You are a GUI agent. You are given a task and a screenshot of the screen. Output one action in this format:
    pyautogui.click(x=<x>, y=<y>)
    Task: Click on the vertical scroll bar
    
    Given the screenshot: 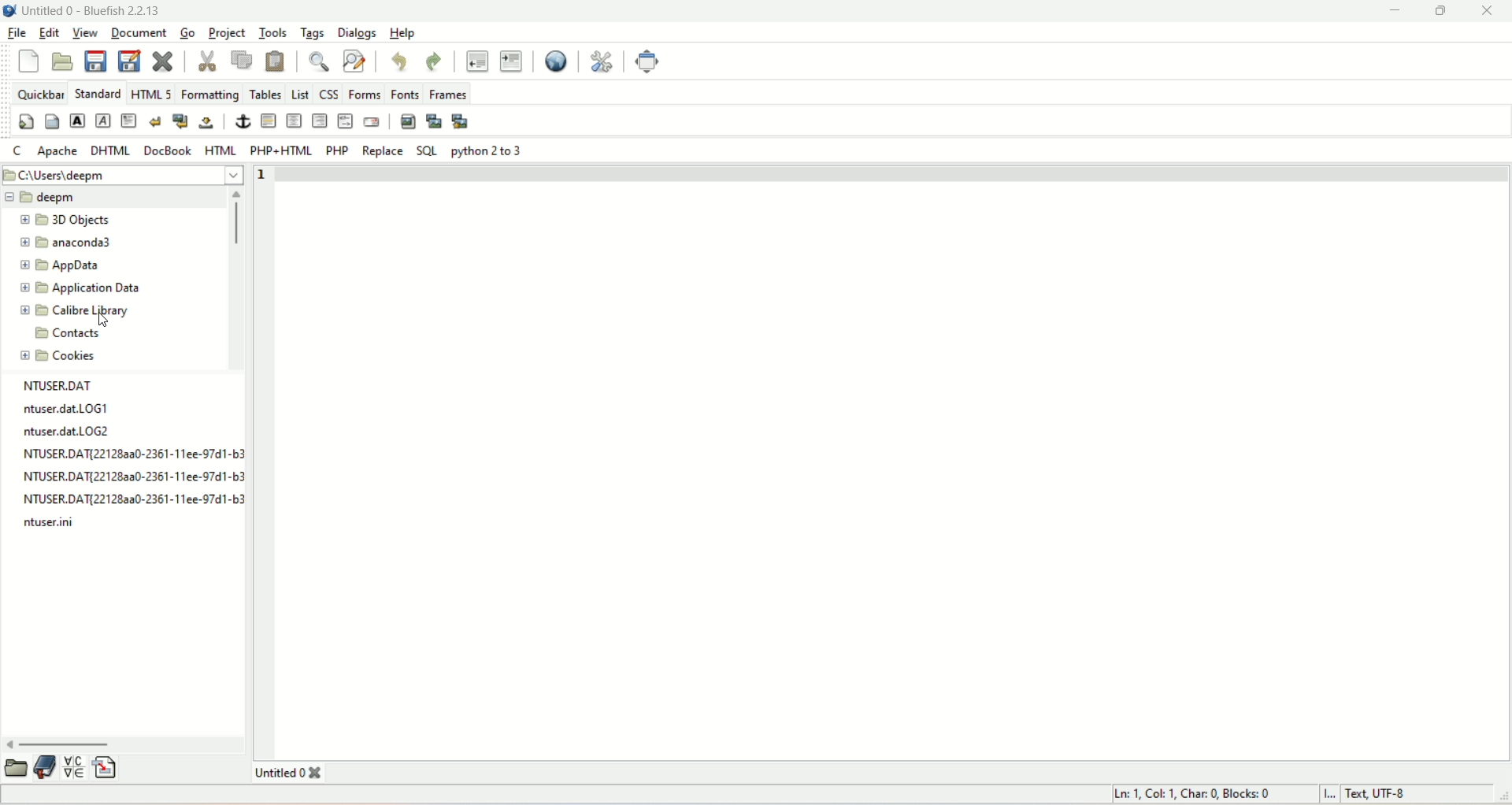 What is the action you would take?
    pyautogui.click(x=235, y=282)
    